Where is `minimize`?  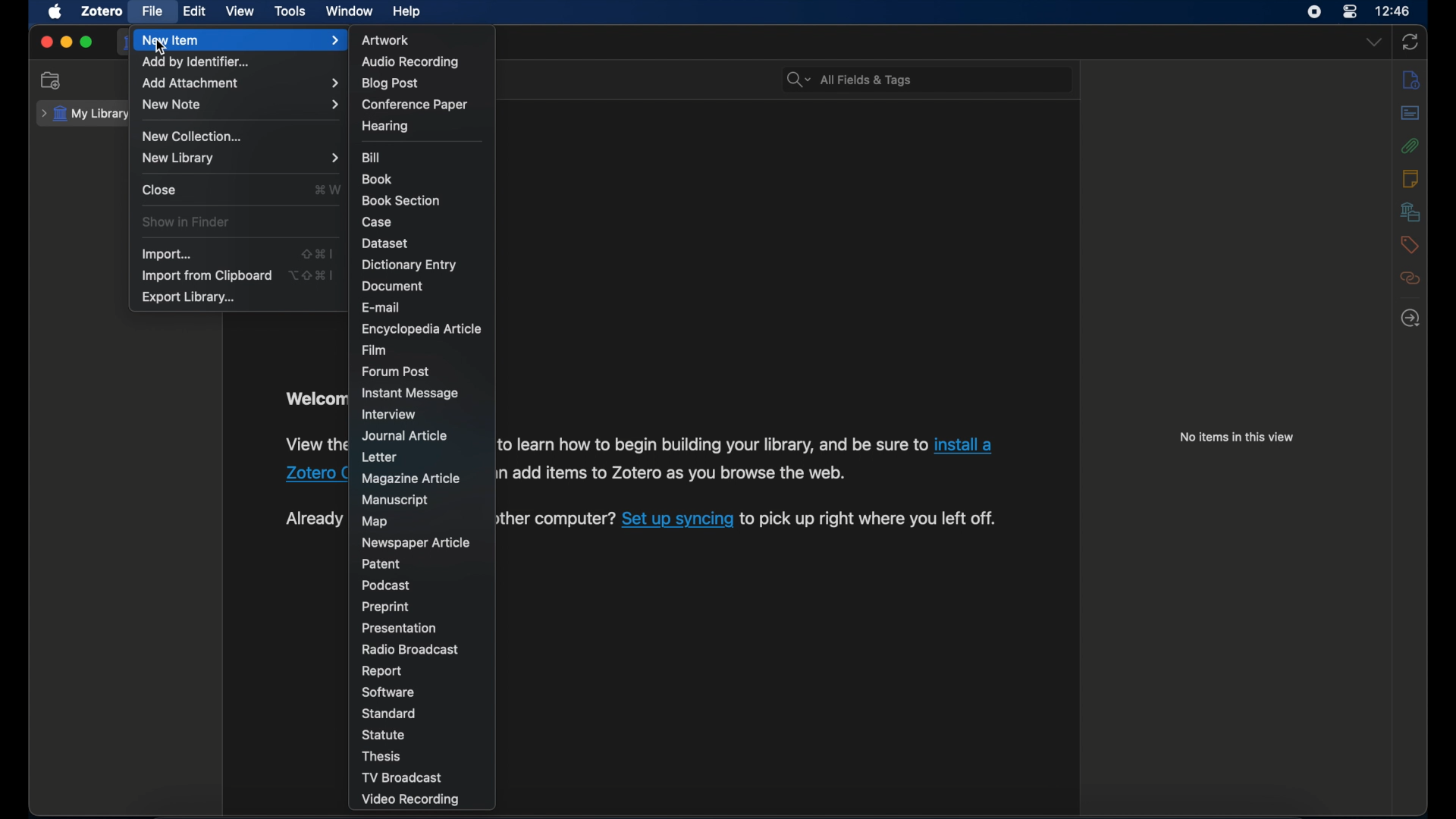
minimize is located at coordinates (65, 42).